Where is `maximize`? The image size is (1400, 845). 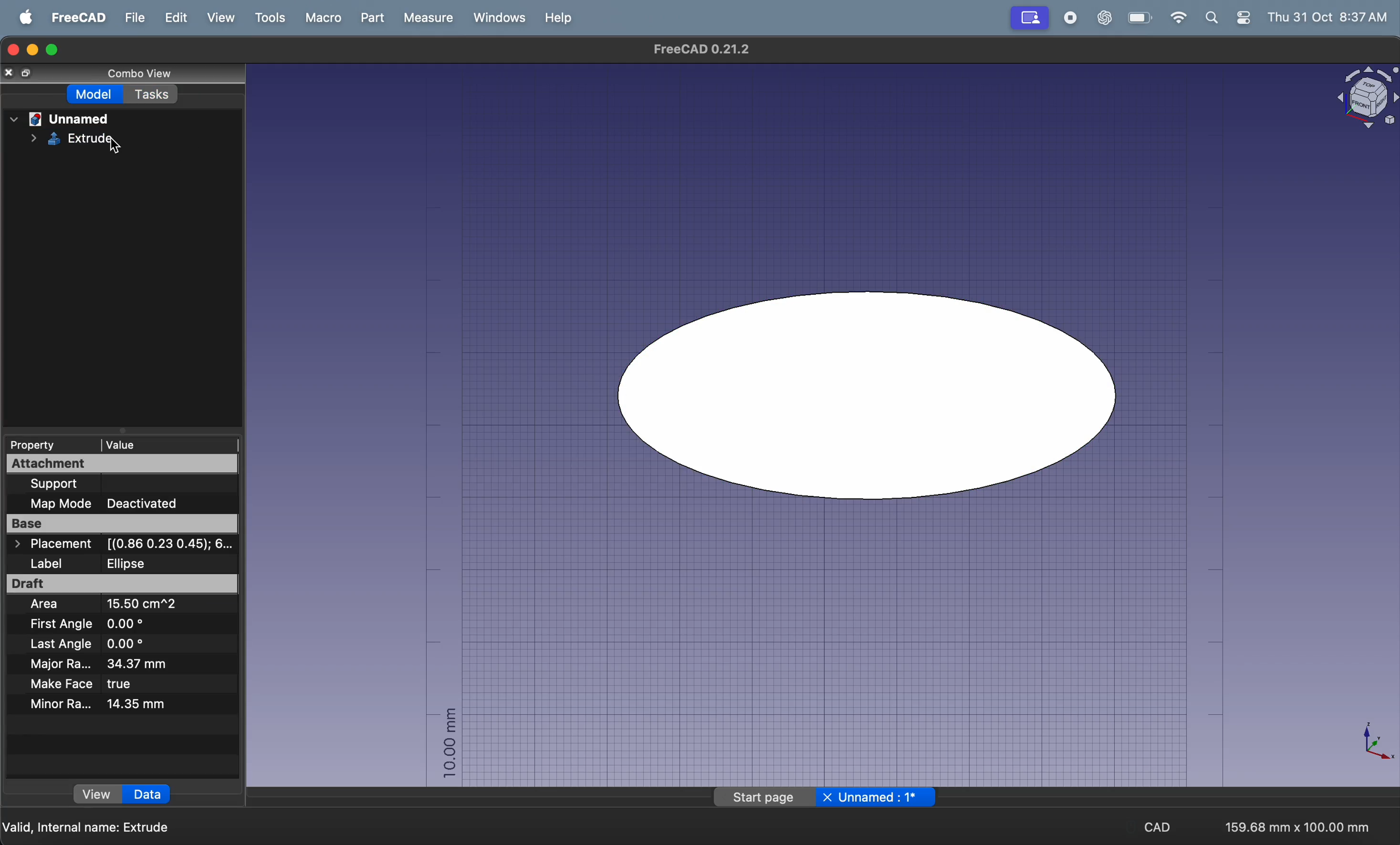
maximize is located at coordinates (56, 49).